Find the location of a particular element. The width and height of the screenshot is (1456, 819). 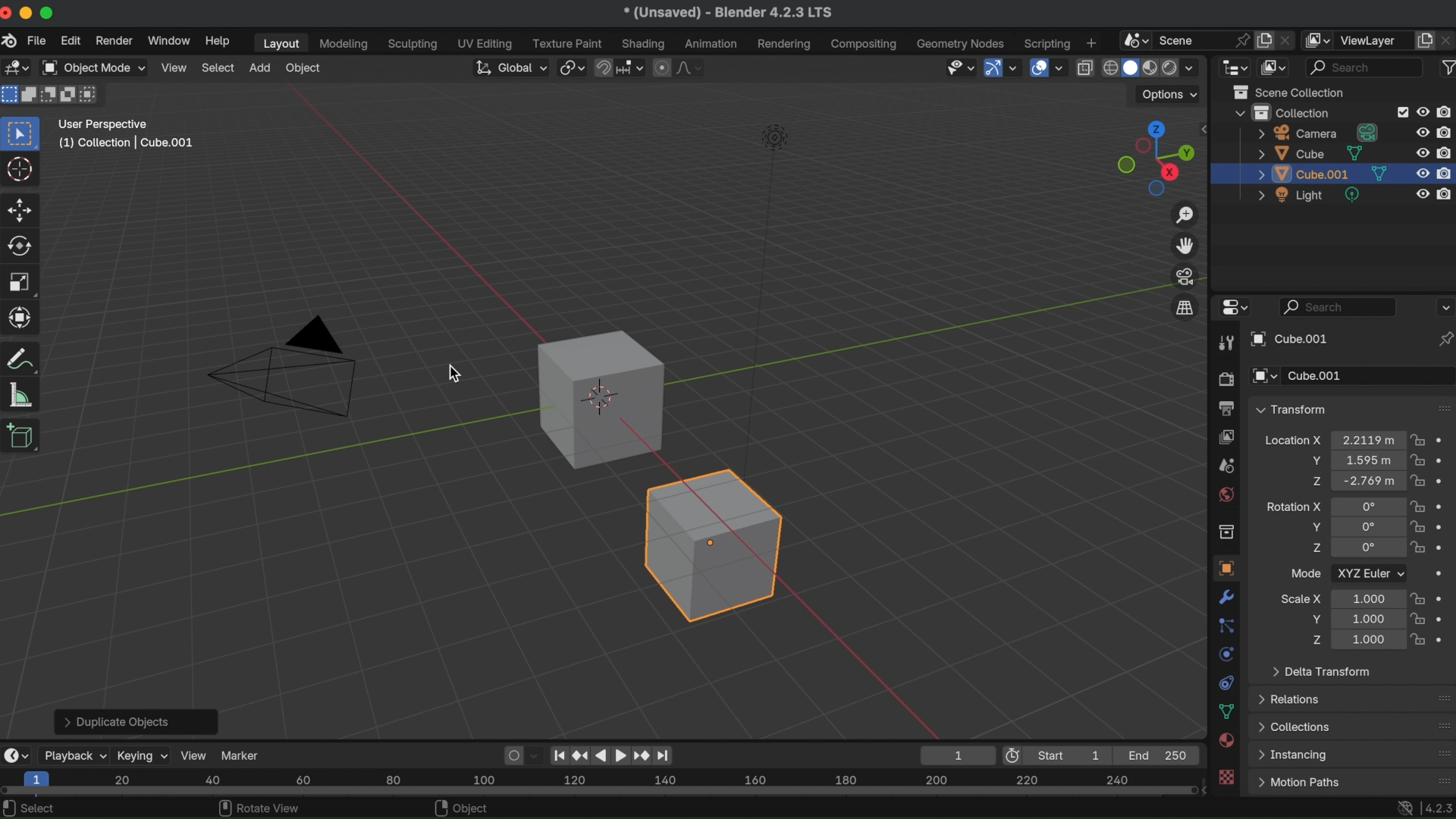

proportional editing objects is located at coordinates (663, 67).